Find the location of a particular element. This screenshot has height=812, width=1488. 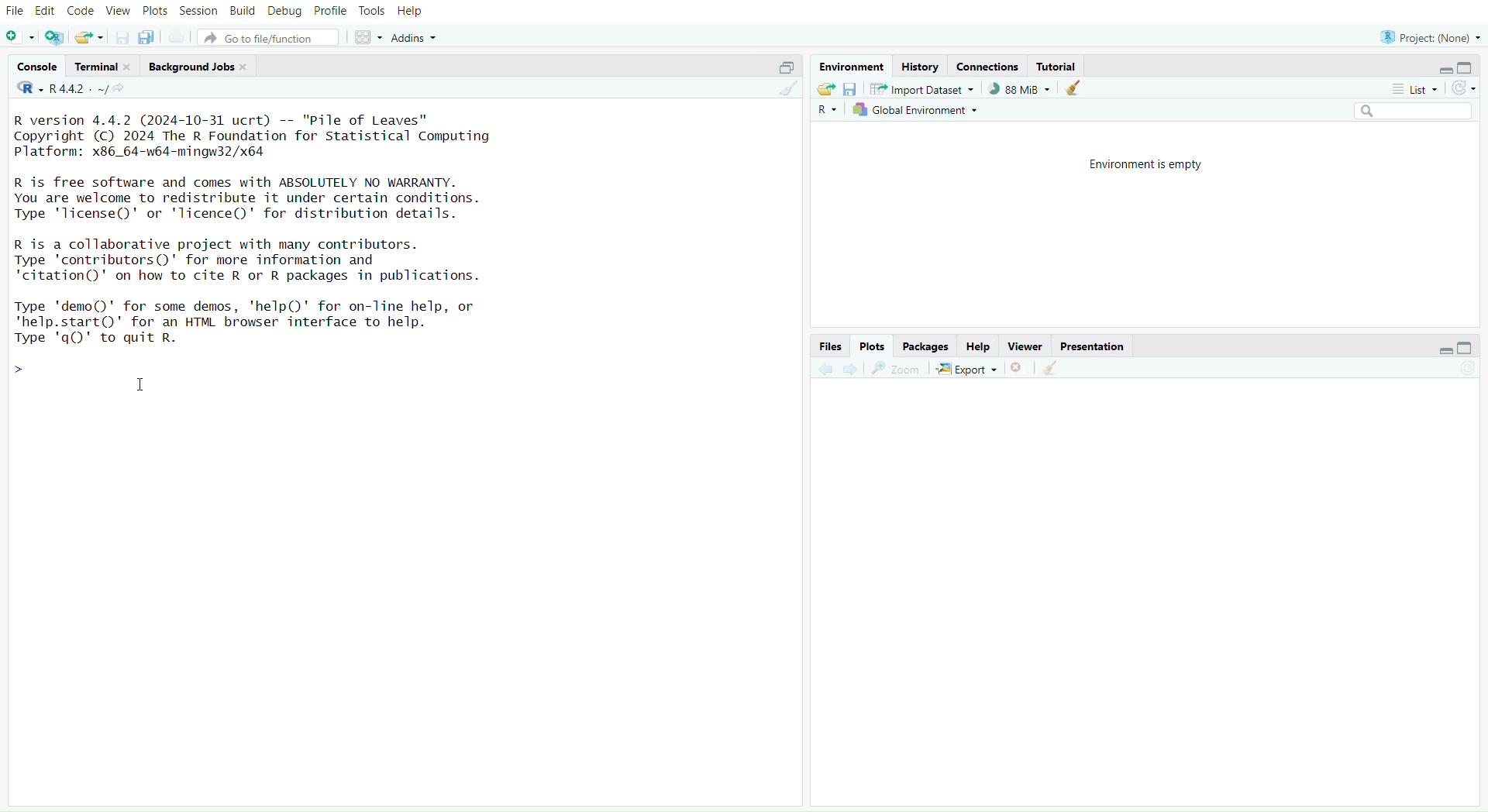

profile is located at coordinates (332, 12).